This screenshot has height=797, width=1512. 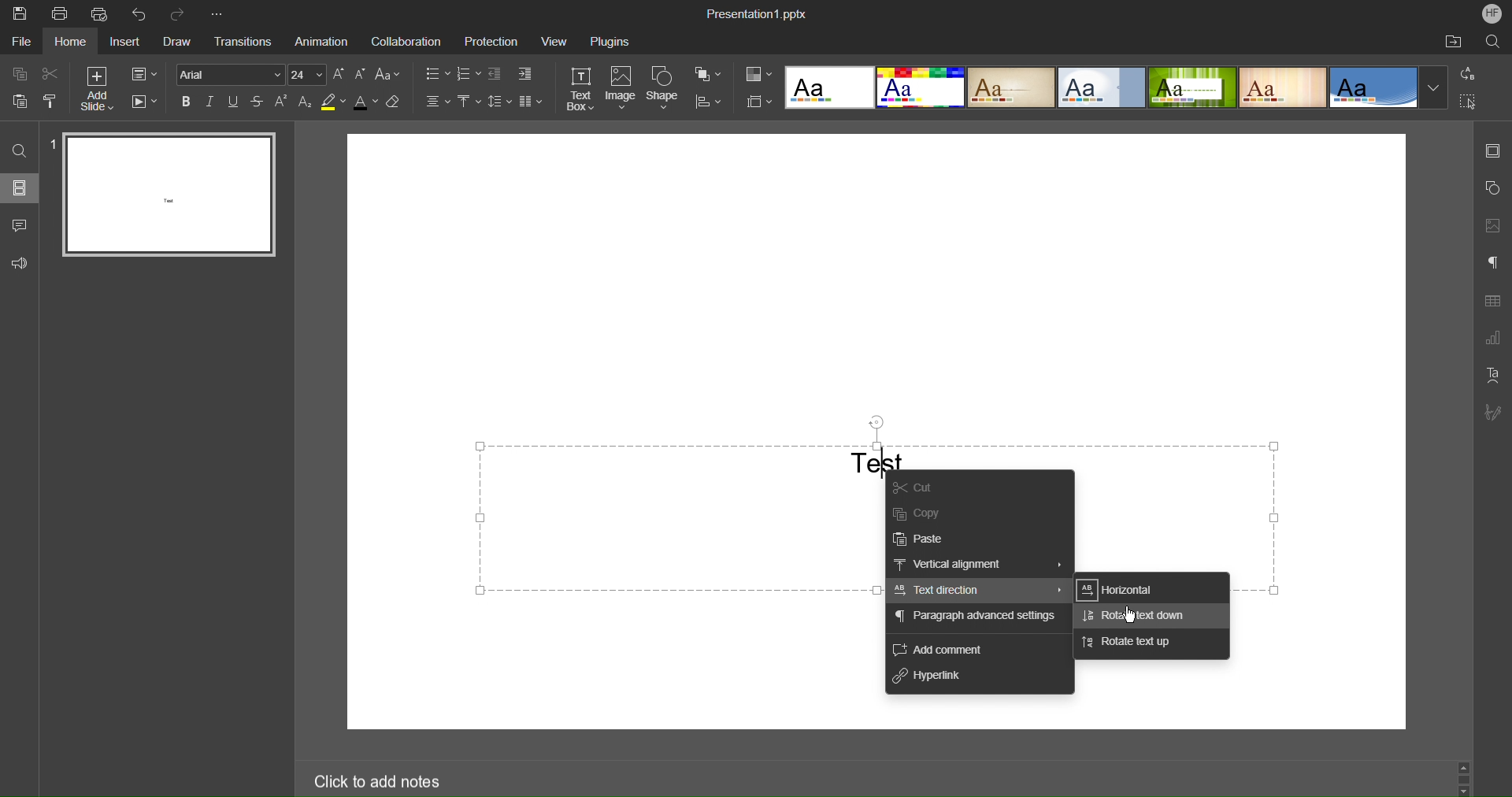 I want to click on Text Color, so click(x=366, y=102).